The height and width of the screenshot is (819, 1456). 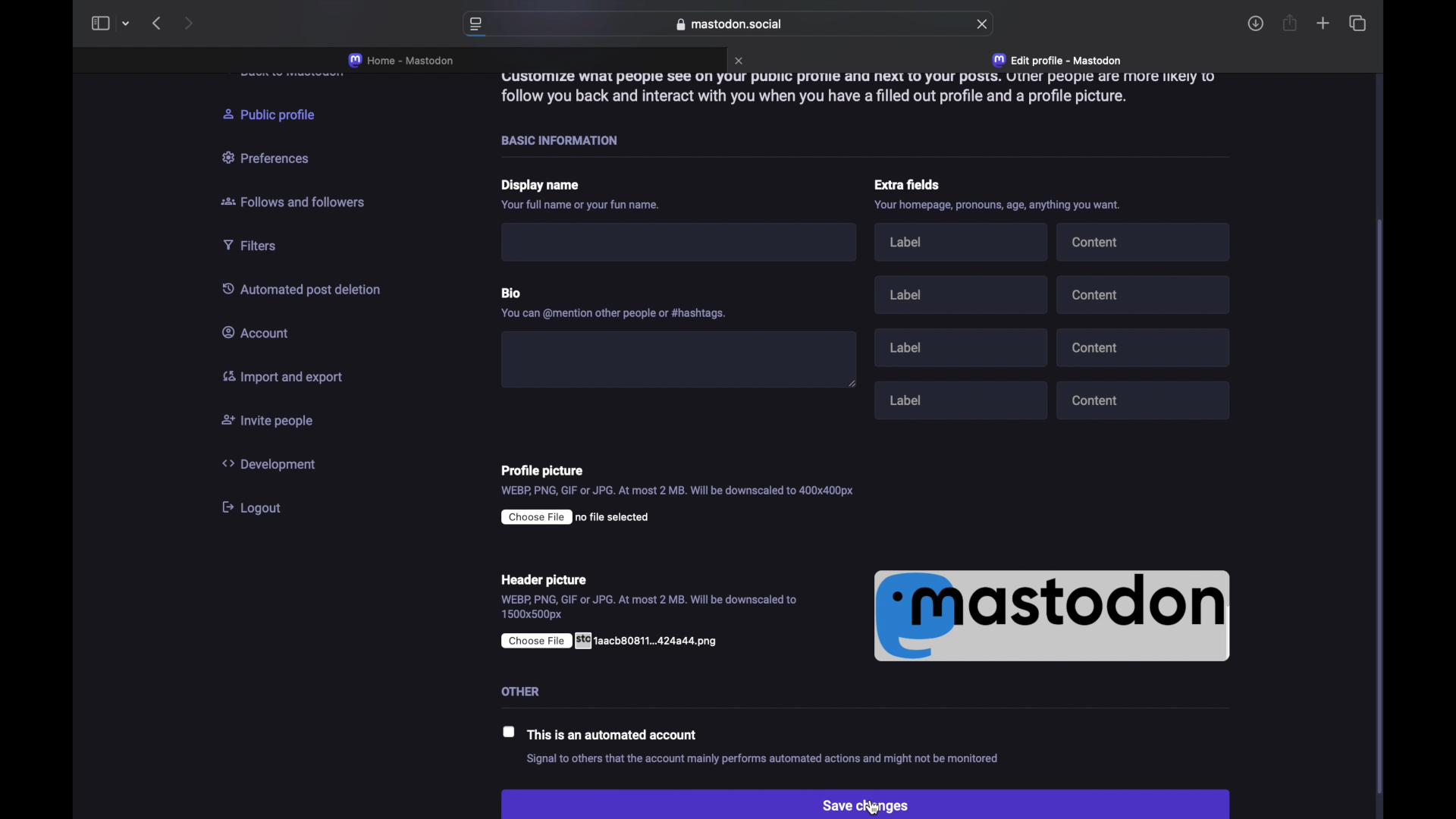 I want to click on ‘You can @mention other people or #hashtags., so click(x=614, y=315).